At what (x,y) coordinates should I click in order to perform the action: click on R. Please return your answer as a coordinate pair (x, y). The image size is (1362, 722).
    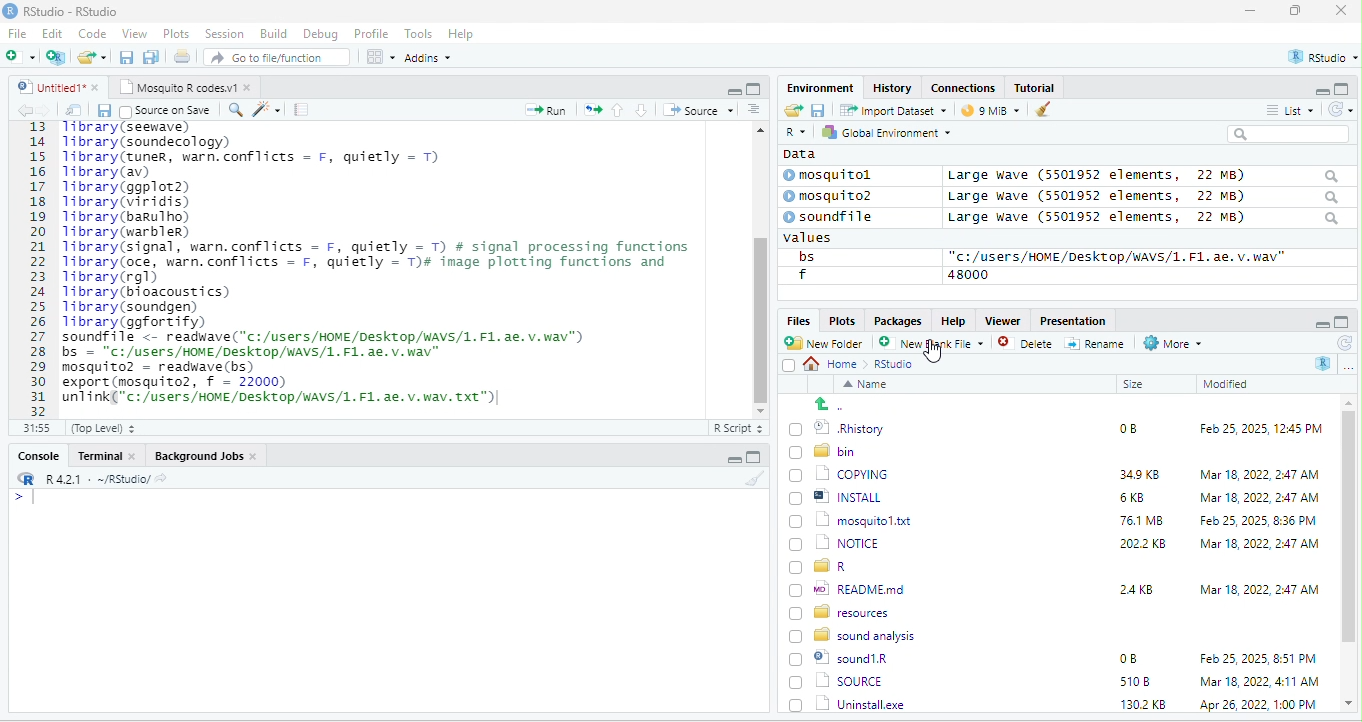
    Looking at the image, I should click on (794, 133).